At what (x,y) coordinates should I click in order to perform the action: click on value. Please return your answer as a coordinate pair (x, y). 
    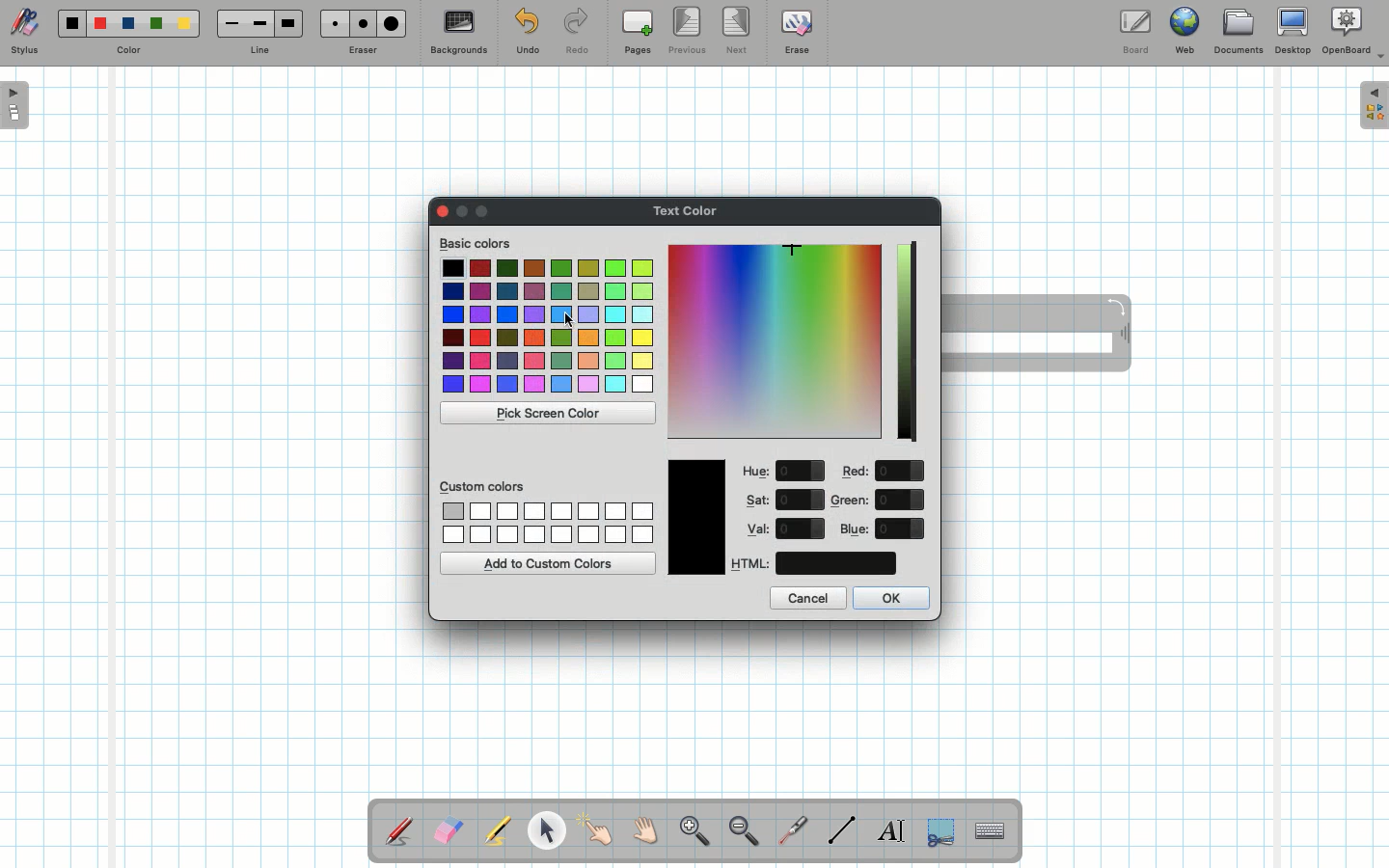
    Looking at the image, I should click on (801, 472).